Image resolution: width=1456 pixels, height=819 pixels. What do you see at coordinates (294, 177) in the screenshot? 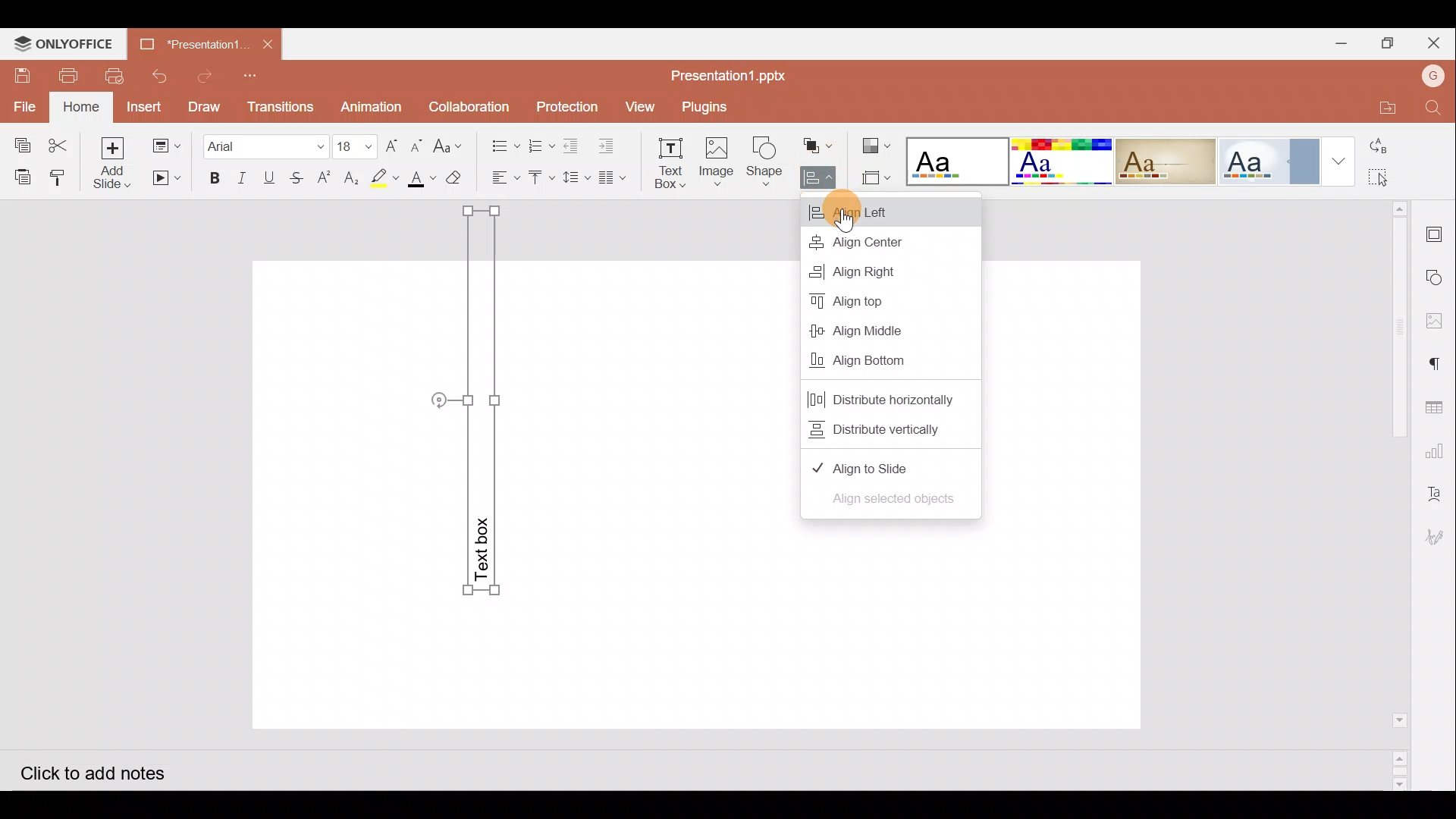
I see `Strikethrough` at bounding box center [294, 177].